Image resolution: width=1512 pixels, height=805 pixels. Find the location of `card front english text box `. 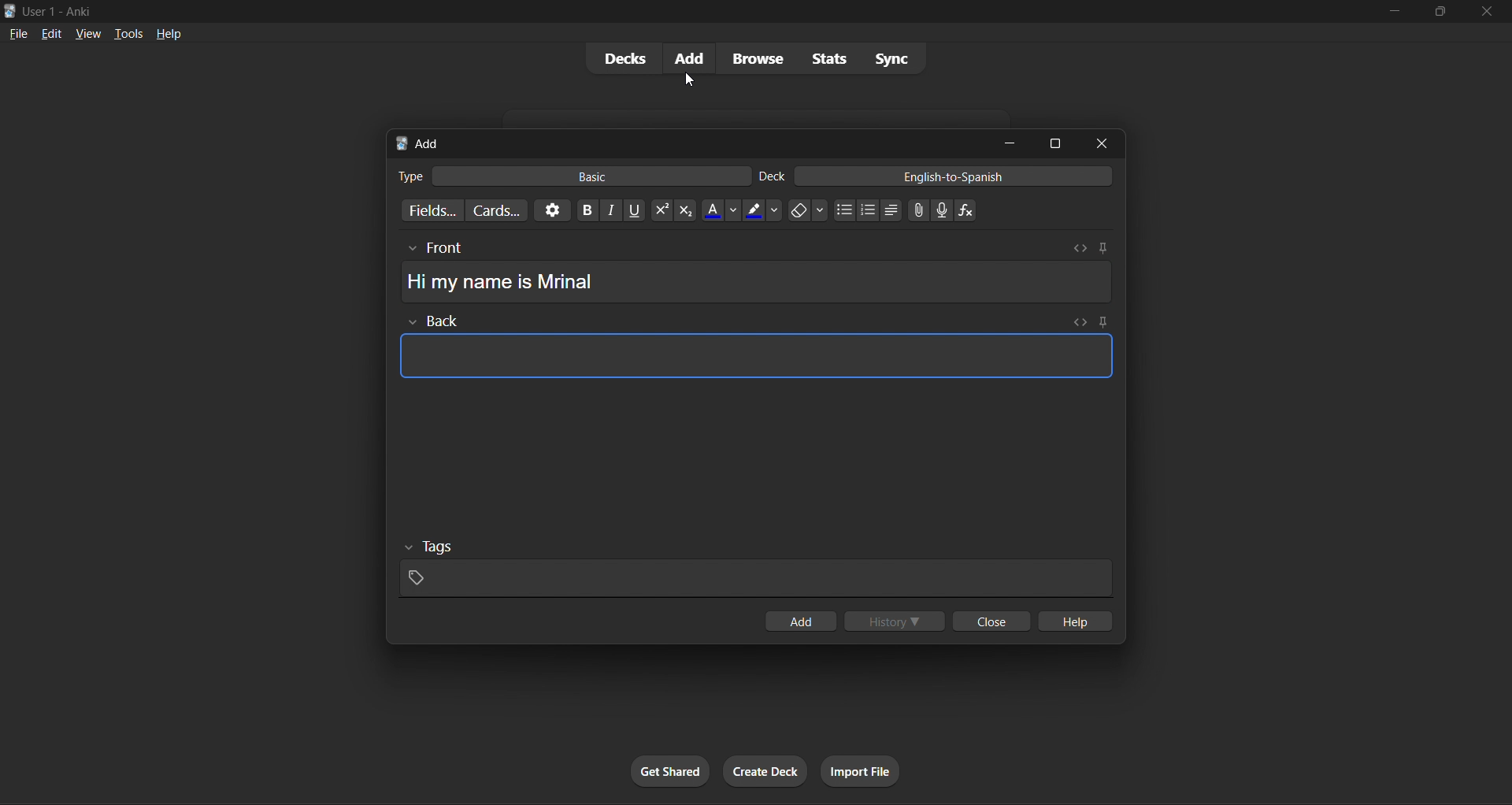

card front english text box  is located at coordinates (754, 273).